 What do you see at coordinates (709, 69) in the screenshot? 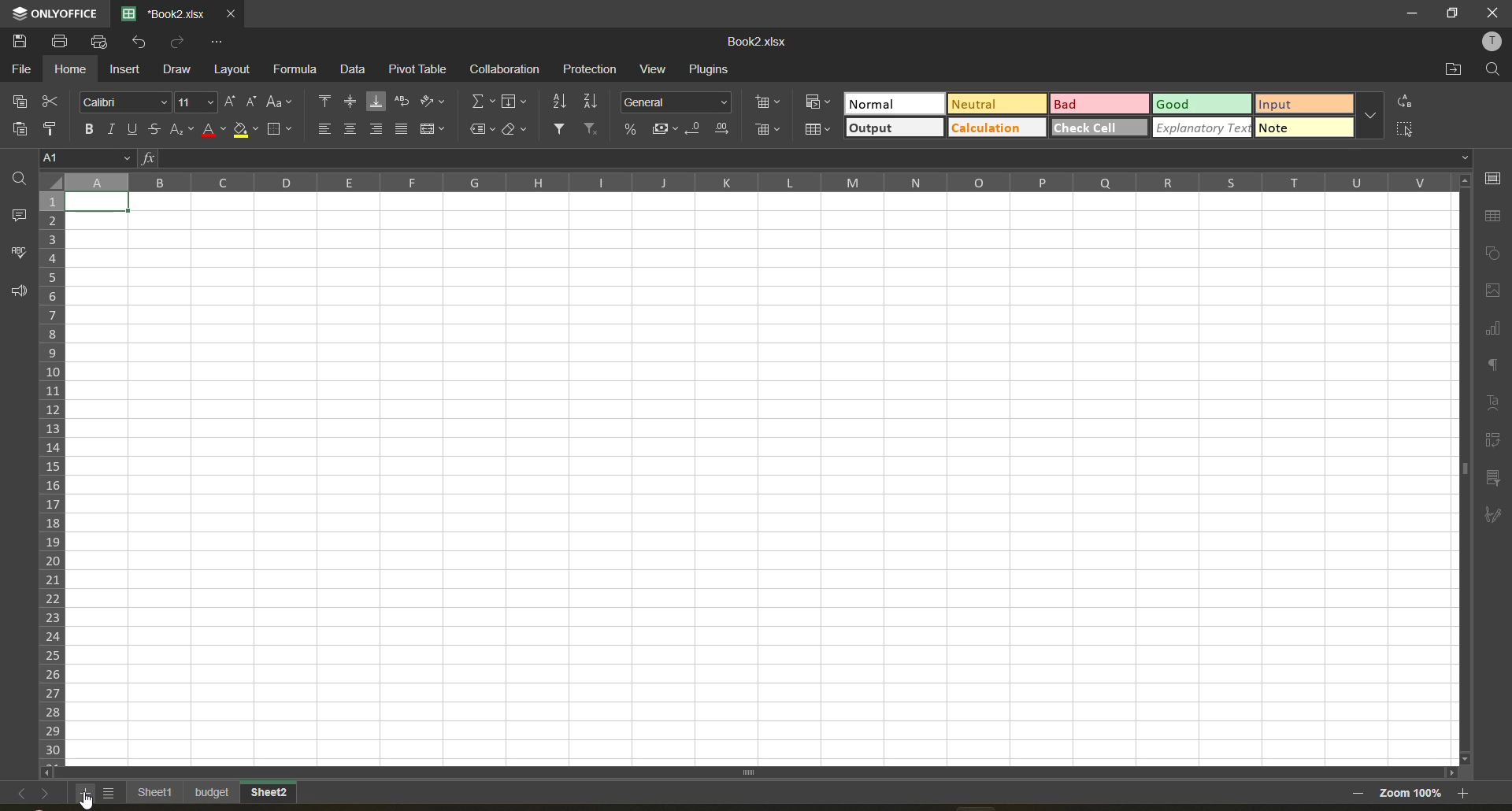
I see `plugins` at bounding box center [709, 69].